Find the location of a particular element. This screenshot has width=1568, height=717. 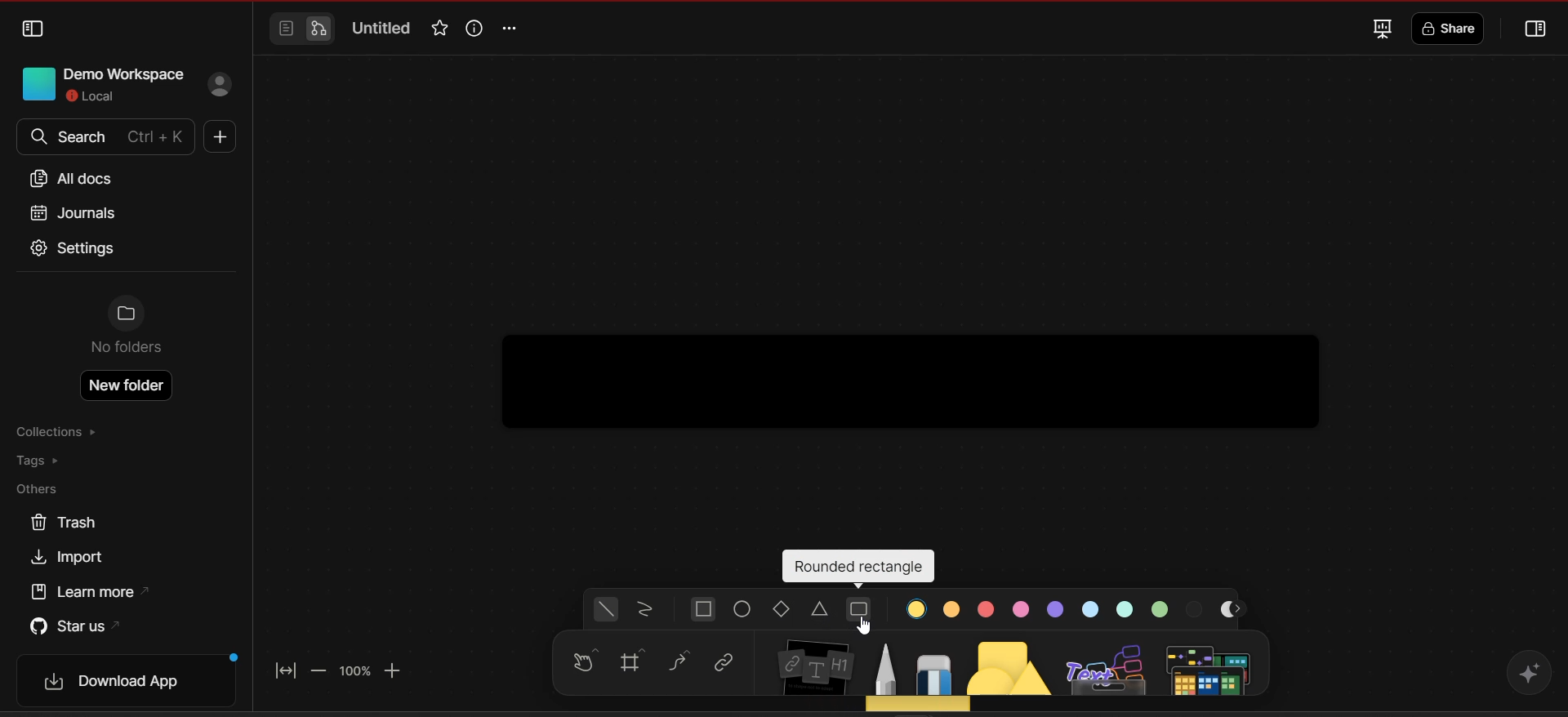

collapse or open sidebar is located at coordinates (1537, 30).